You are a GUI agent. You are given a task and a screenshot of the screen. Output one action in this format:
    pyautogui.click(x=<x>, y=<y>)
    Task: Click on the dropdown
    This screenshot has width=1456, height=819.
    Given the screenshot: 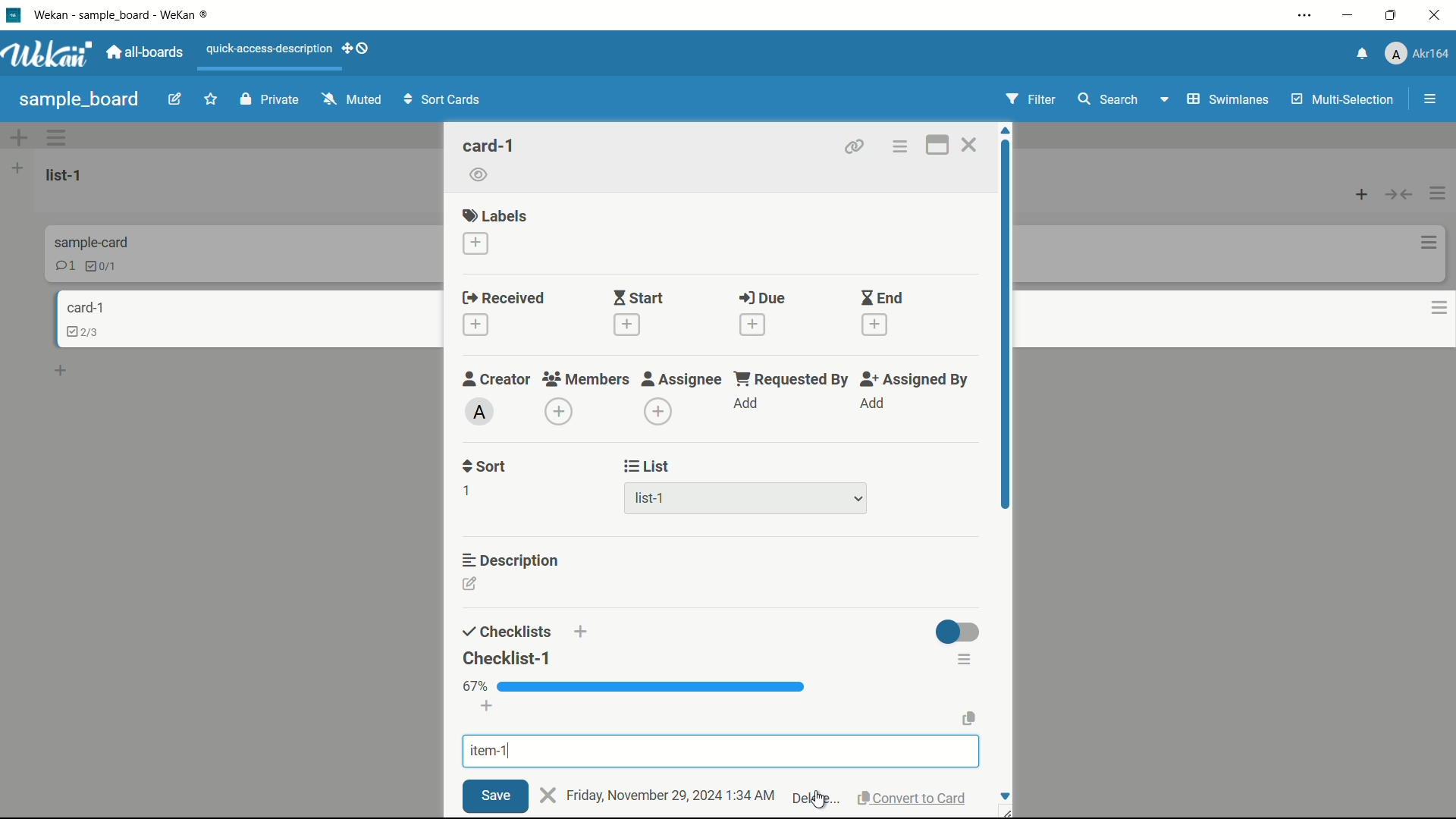 What is the action you would take?
    pyautogui.click(x=858, y=497)
    